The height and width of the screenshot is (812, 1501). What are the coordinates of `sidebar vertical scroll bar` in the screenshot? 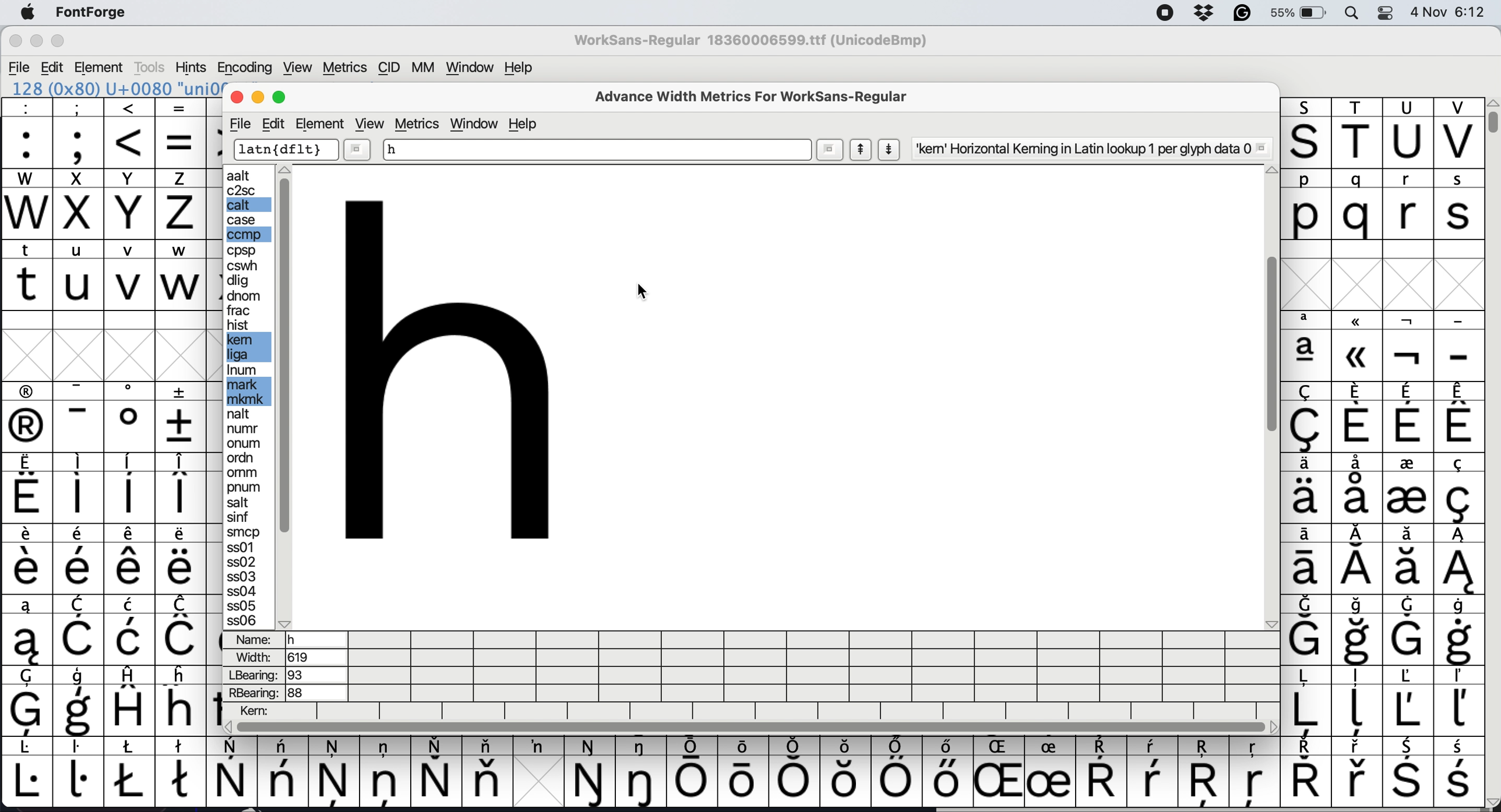 It's located at (288, 355).